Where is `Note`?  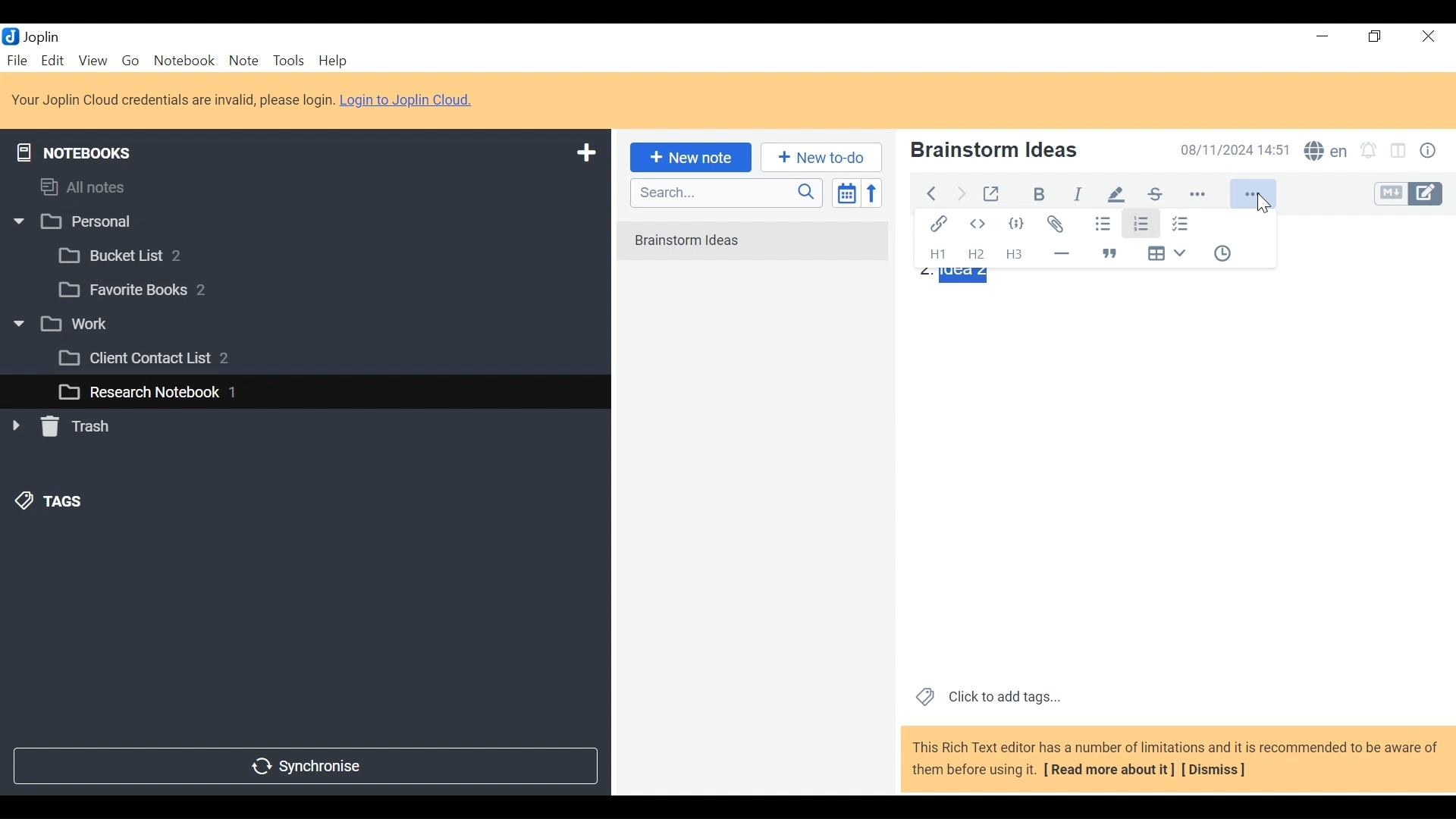 Note is located at coordinates (243, 60).